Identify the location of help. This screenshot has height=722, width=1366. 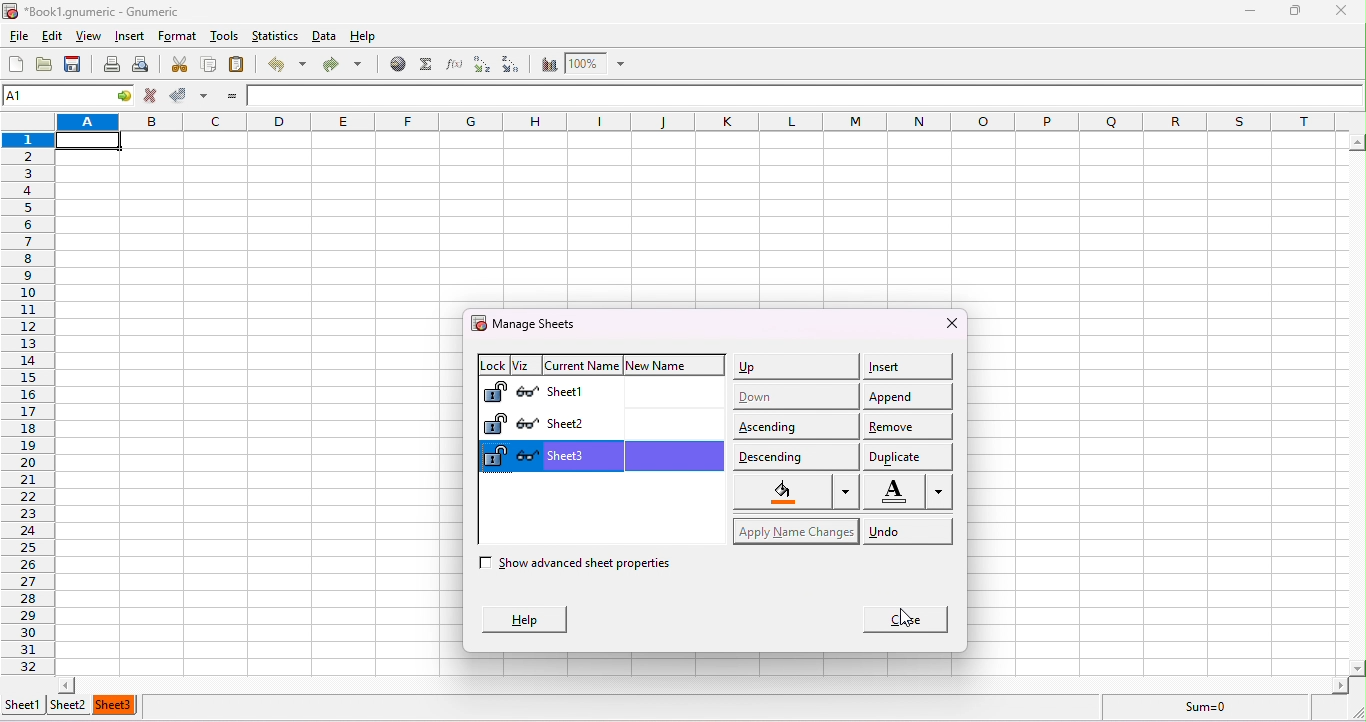
(365, 32).